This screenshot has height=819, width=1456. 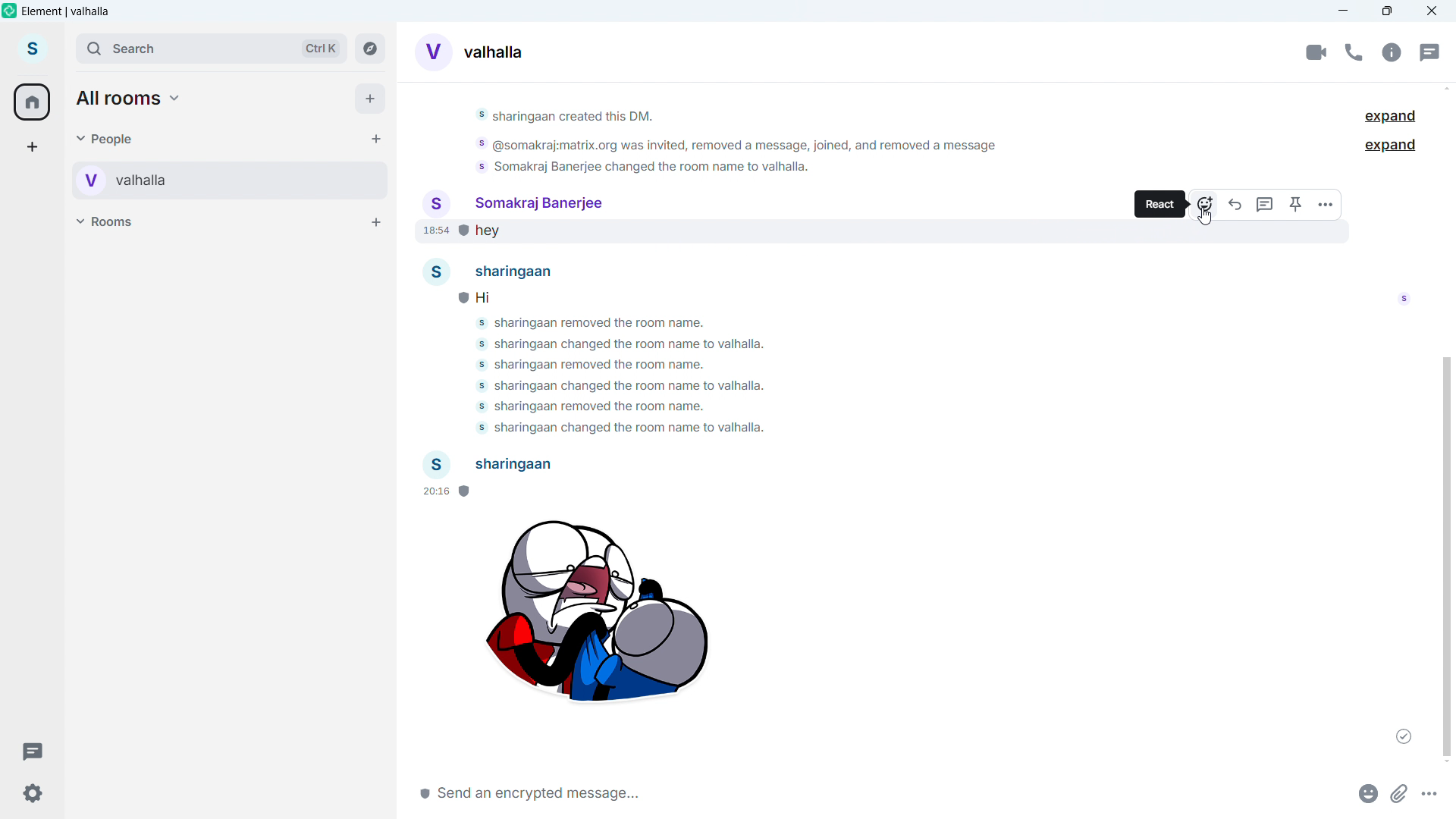 I want to click on read by somakraj, so click(x=1404, y=303).